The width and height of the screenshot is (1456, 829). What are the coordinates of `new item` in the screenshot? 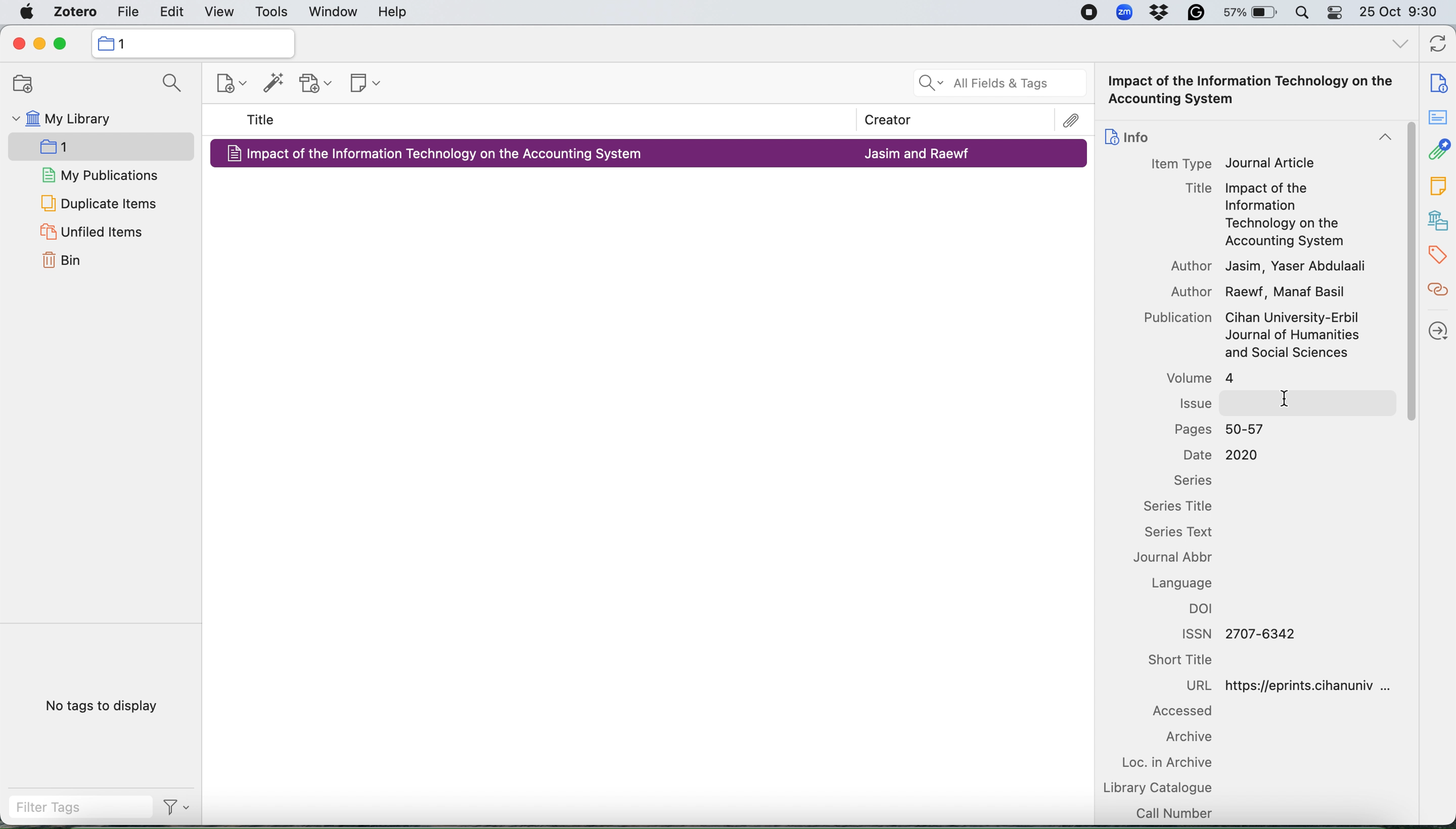 It's located at (231, 84).